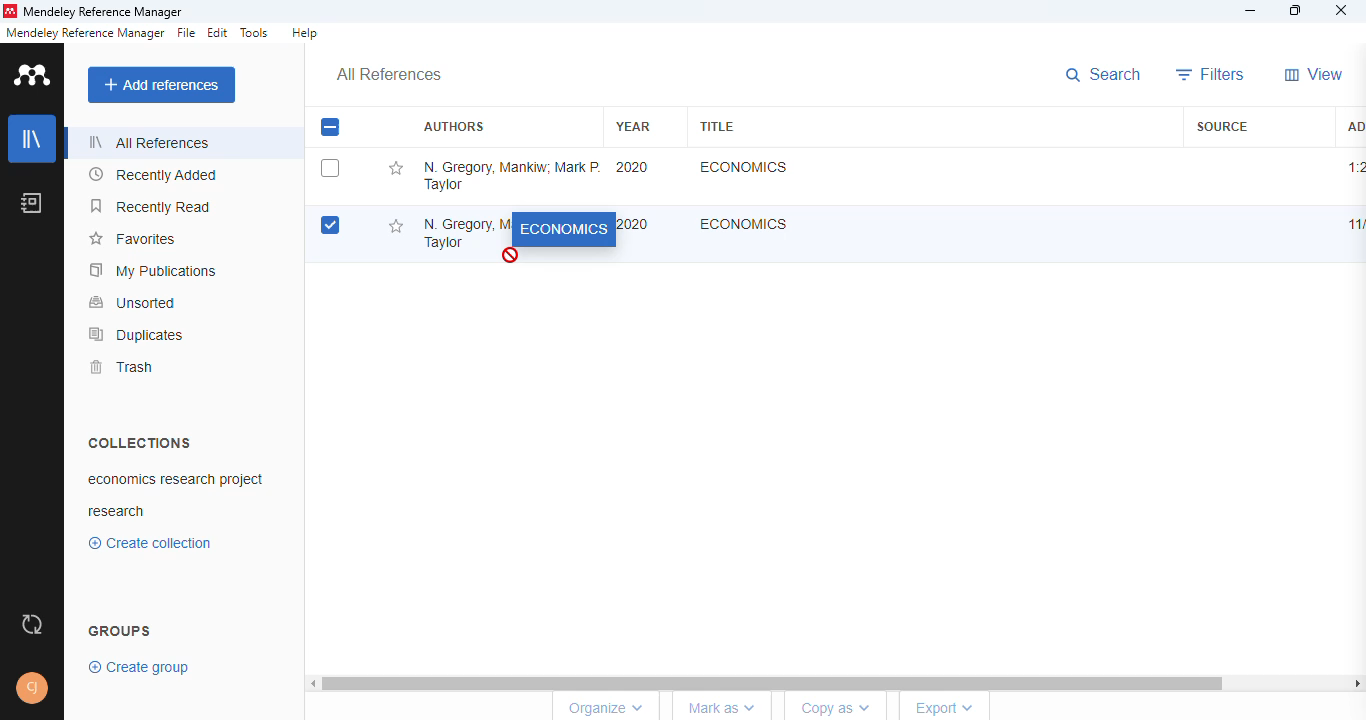  I want to click on 11/, so click(1353, 225).